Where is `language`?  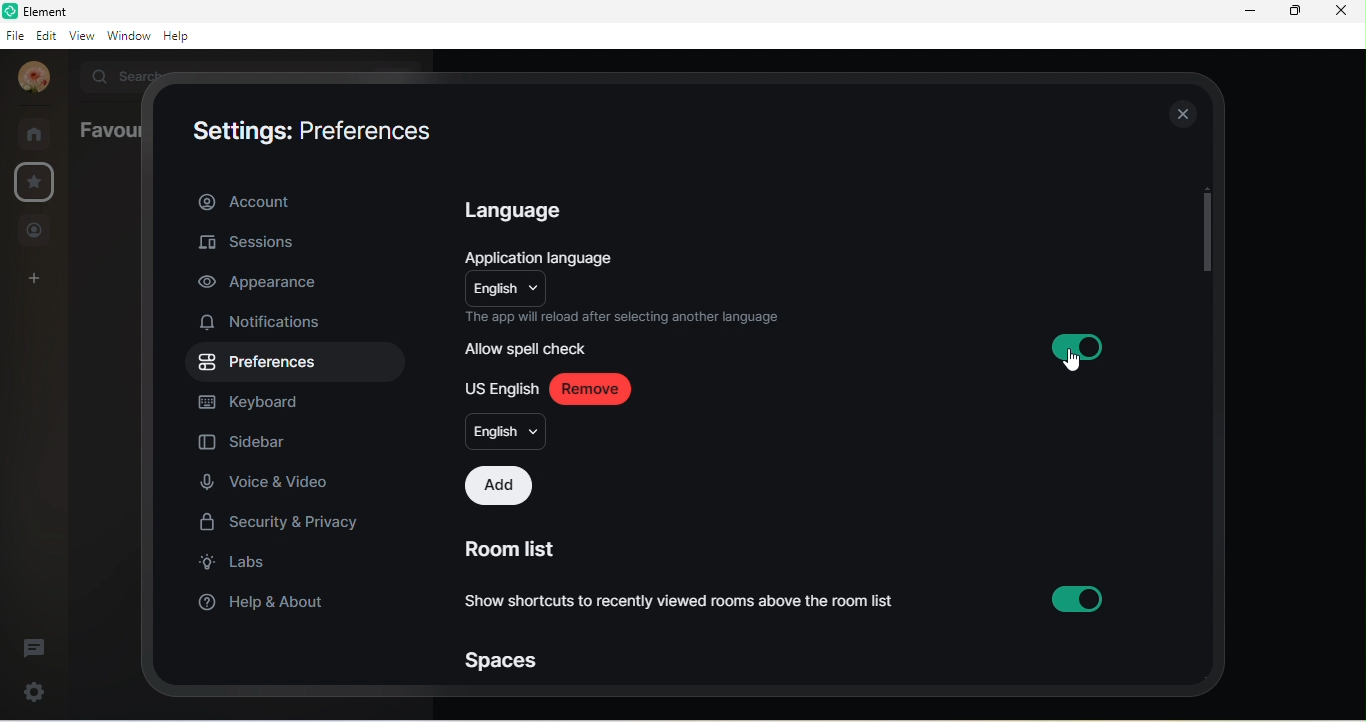 language is located at coordinates (526, 213).